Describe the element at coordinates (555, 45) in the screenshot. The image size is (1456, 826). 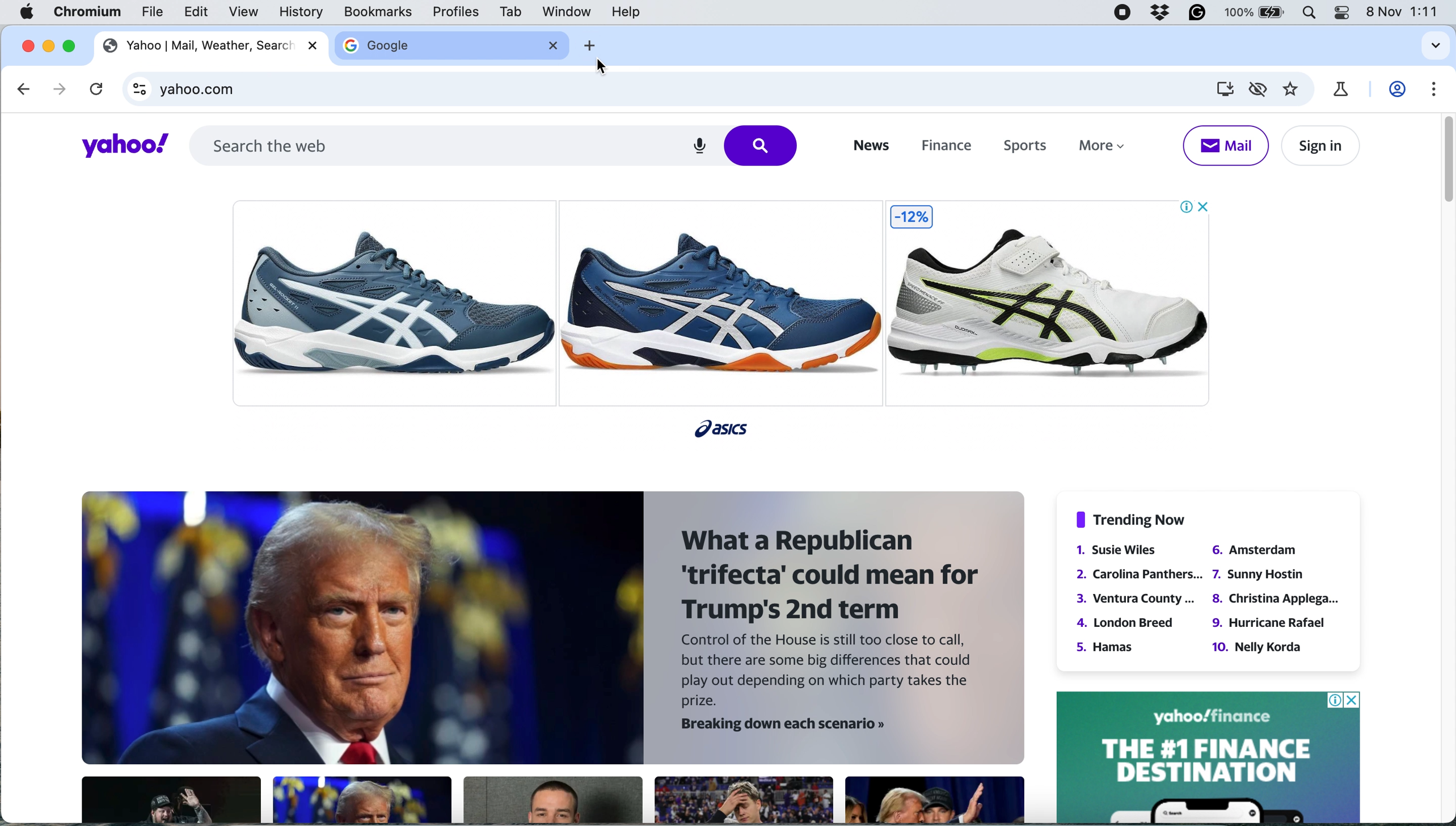
I see `close` at that location.